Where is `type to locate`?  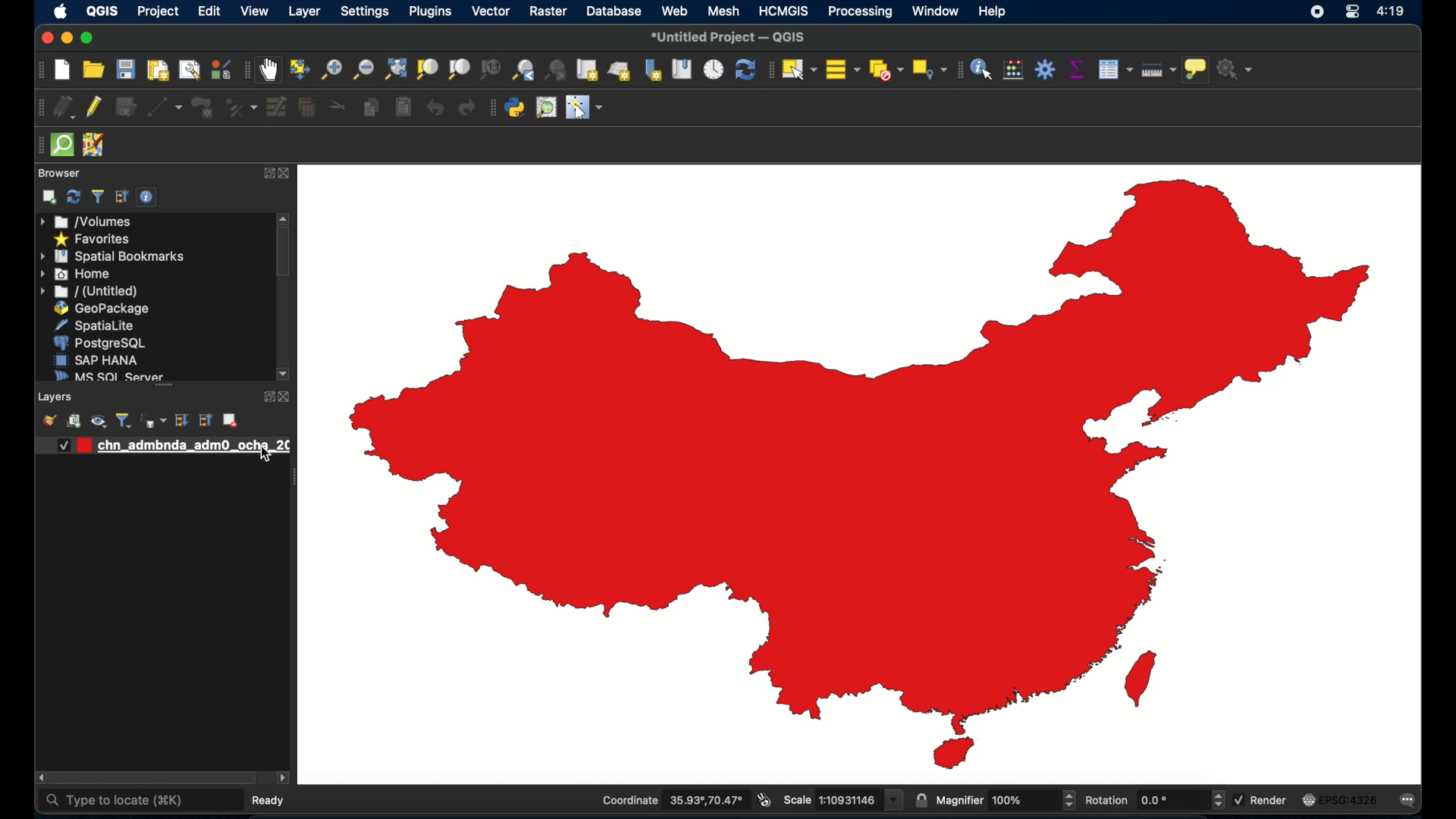 type to locate is located at coordinates (114, 801).